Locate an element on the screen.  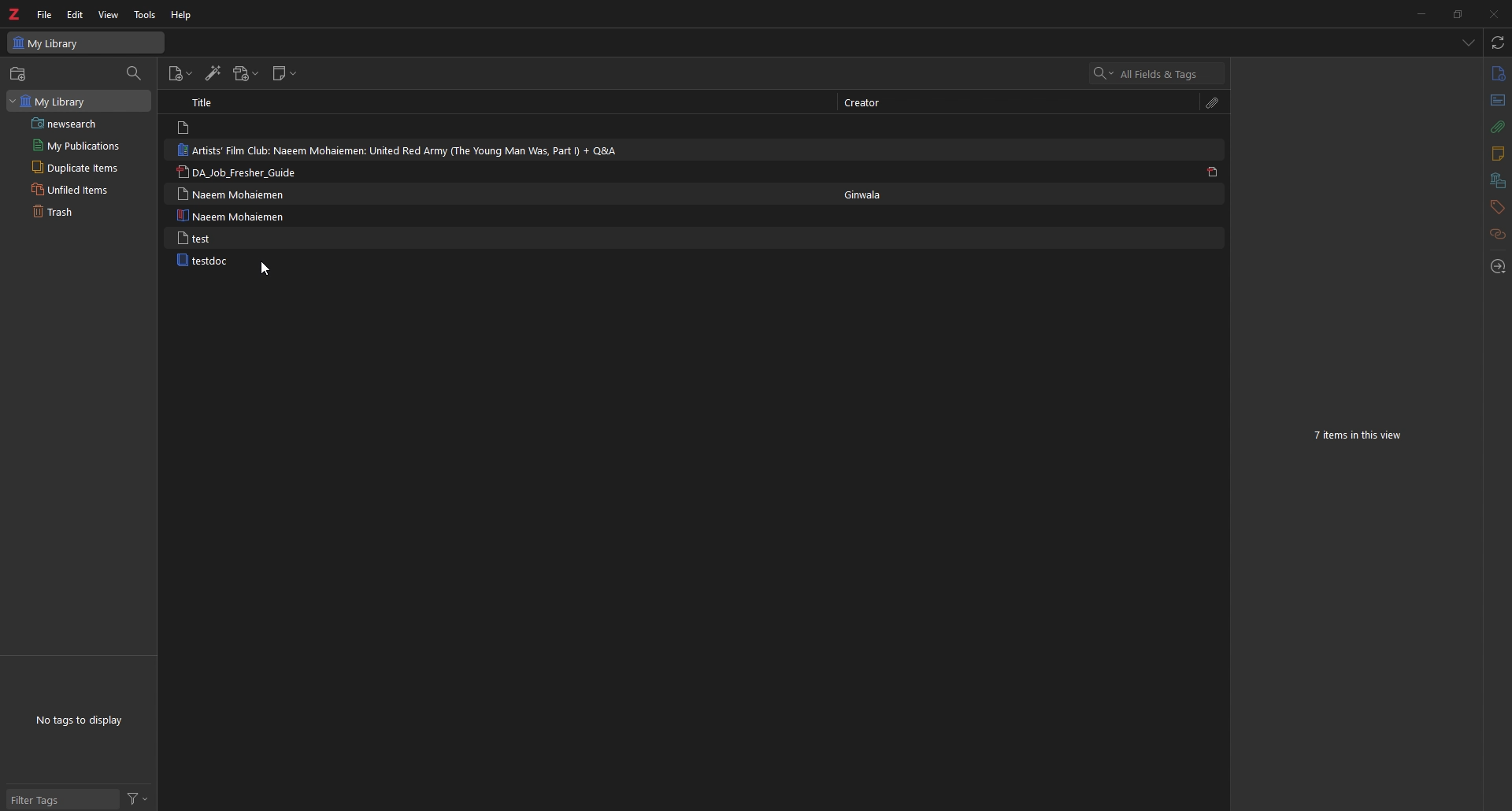
Creator is located at coordinates (869, 102).